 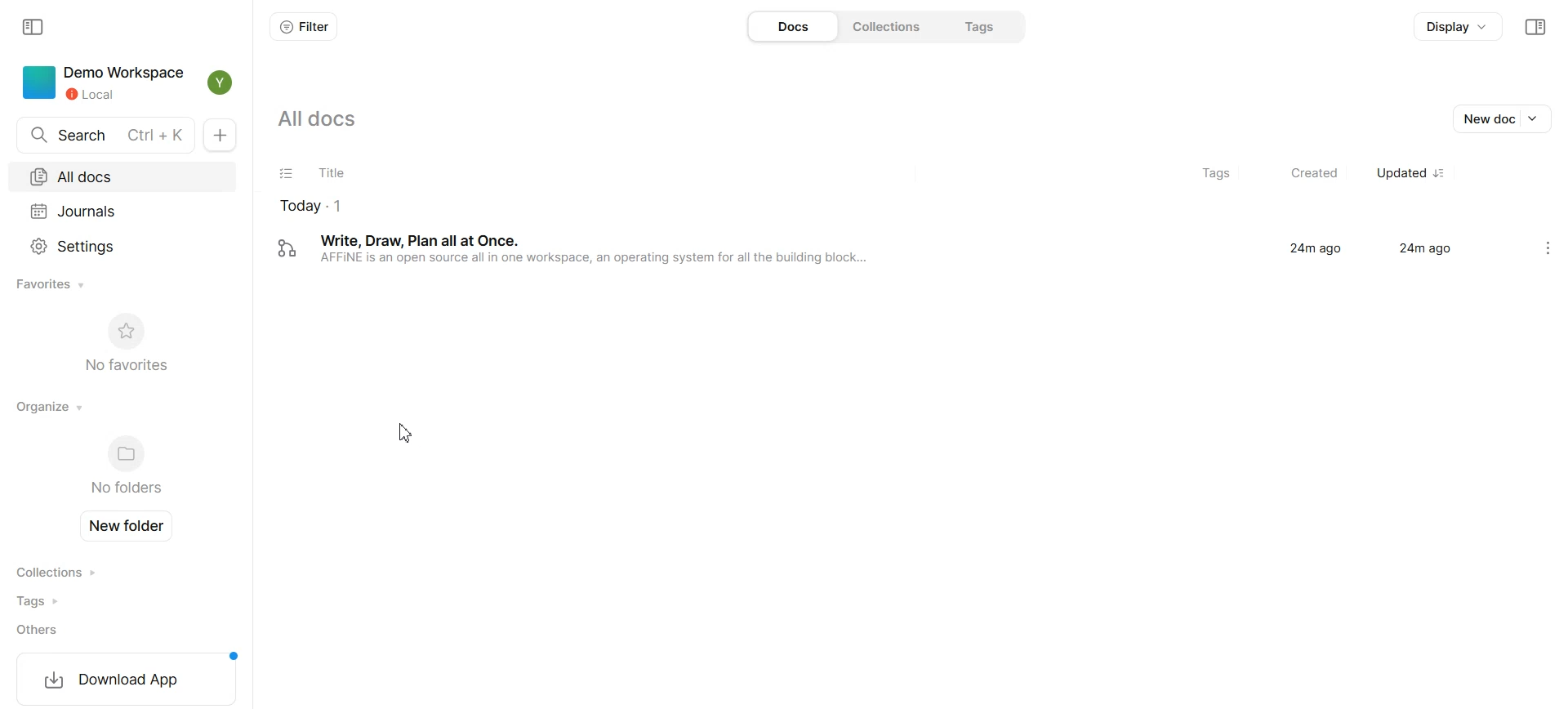 What do you see at coordinates (51, 406) in the screenshot?
I see `Organize` at bounding box center [51, 406].